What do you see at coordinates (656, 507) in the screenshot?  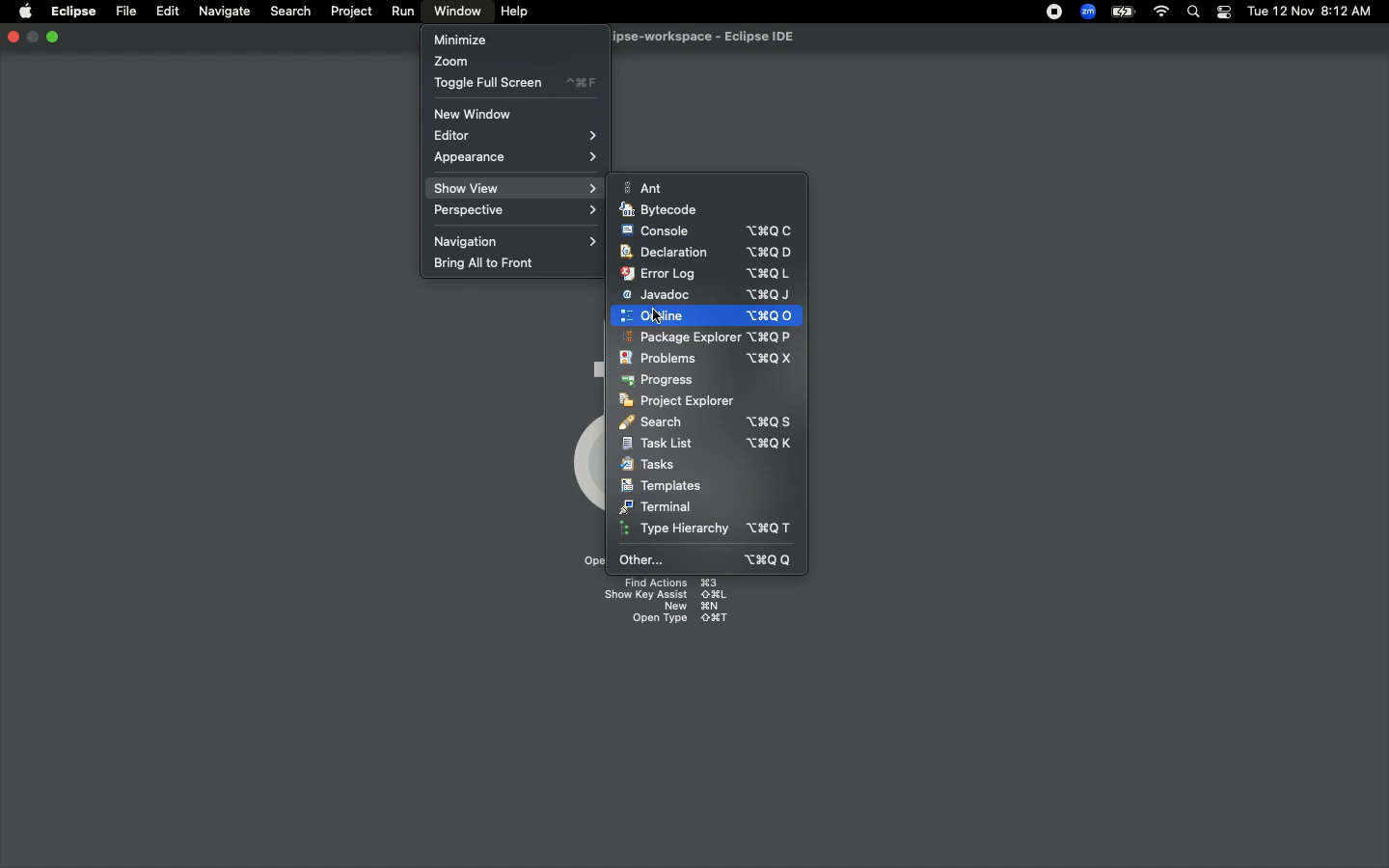 I see `Terminal` at bounding box center [656, 507].